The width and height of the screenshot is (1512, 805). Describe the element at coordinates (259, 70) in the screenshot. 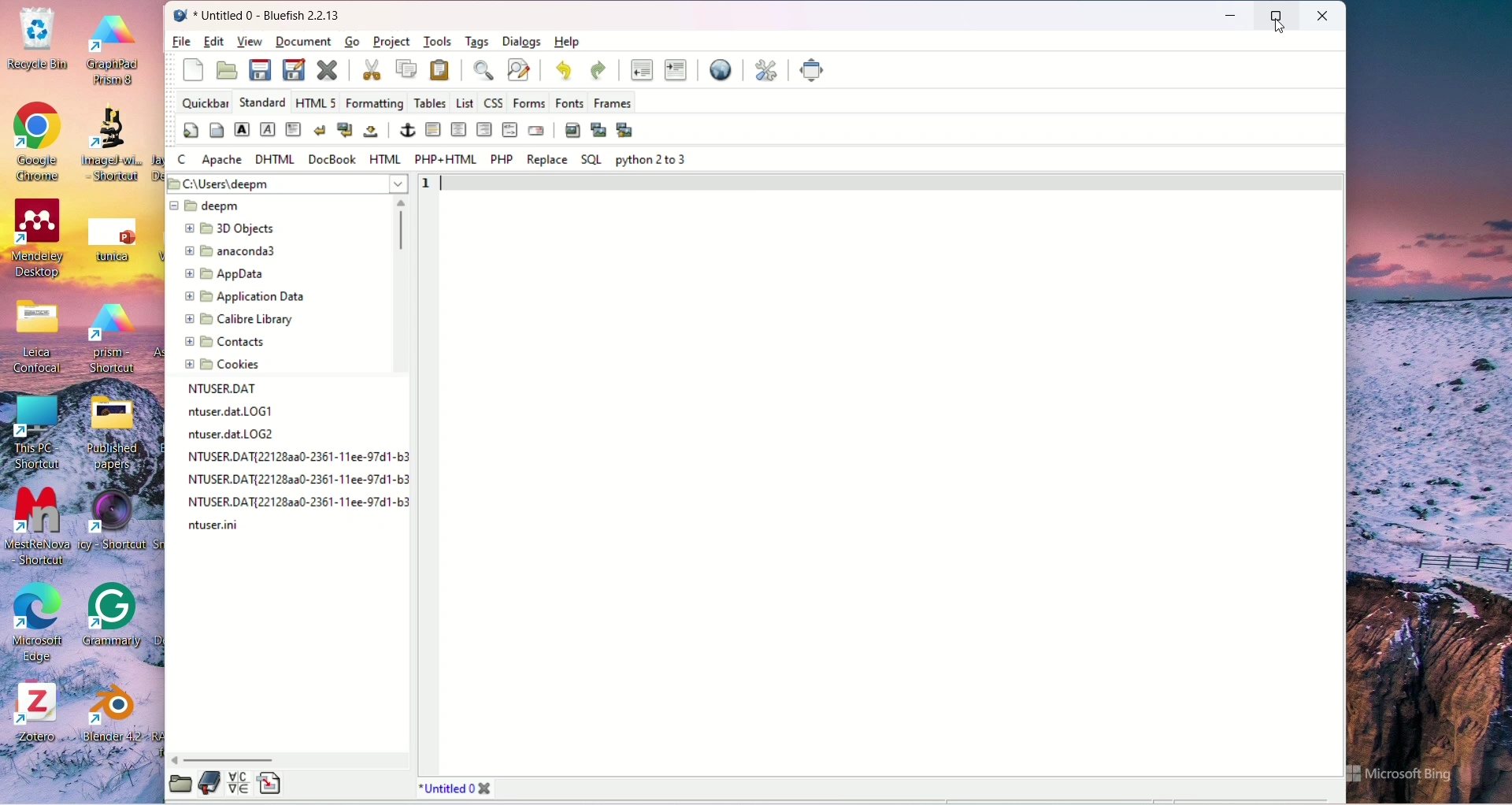

I see `save current file` at that location.